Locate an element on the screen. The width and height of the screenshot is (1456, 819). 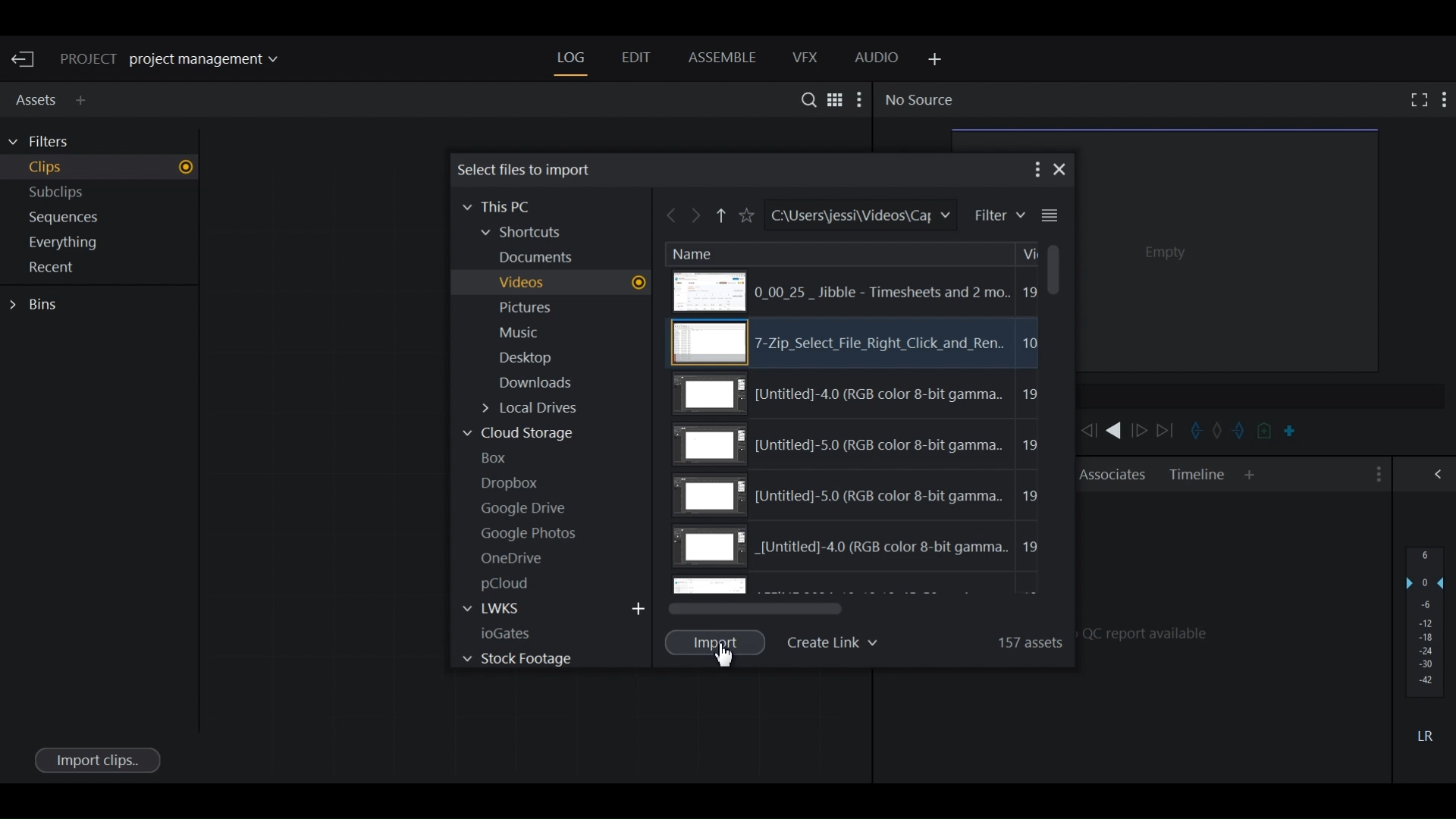
Import is located at coordinates (717, 642).